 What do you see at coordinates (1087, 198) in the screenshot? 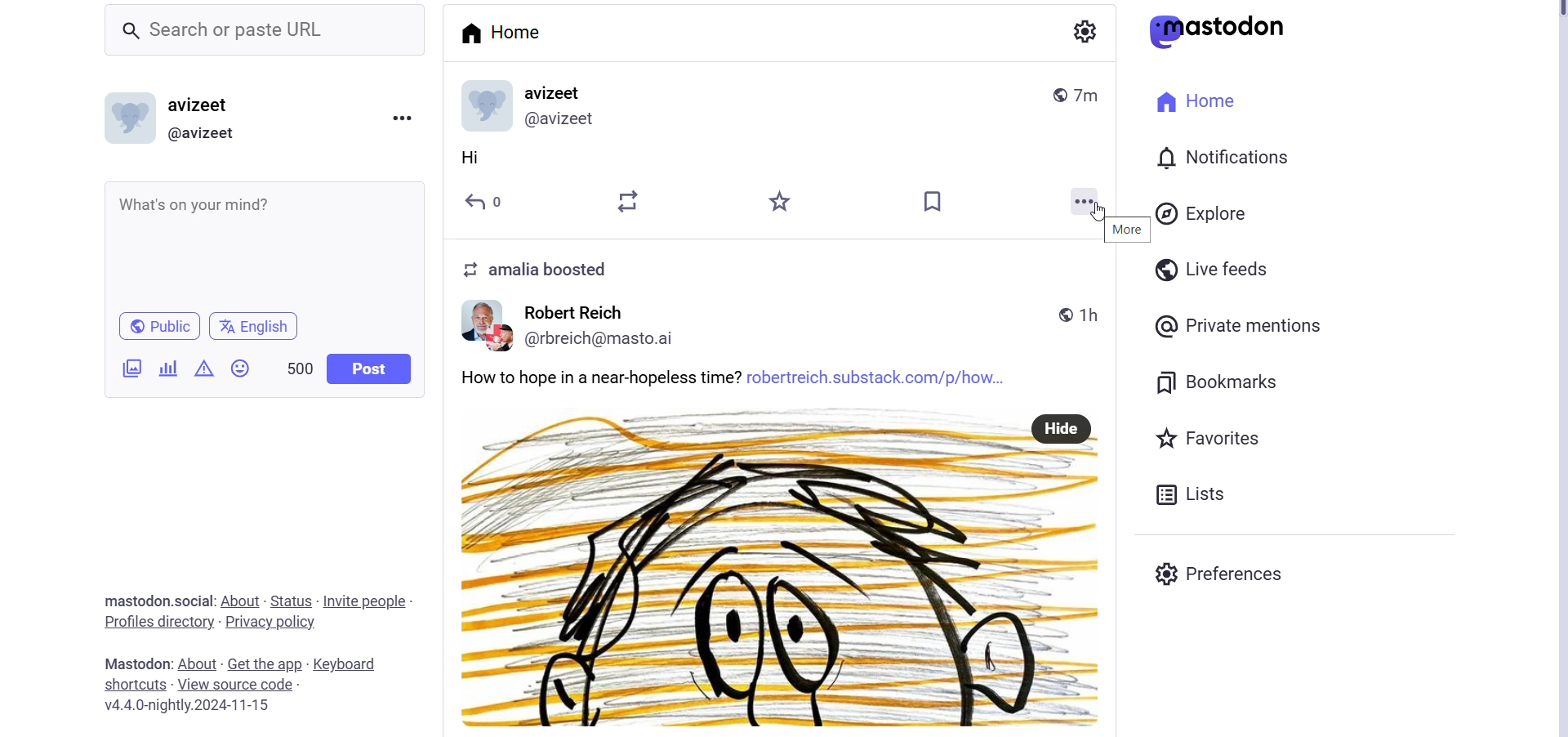
I see `More` at bounding box center [1087, 198].